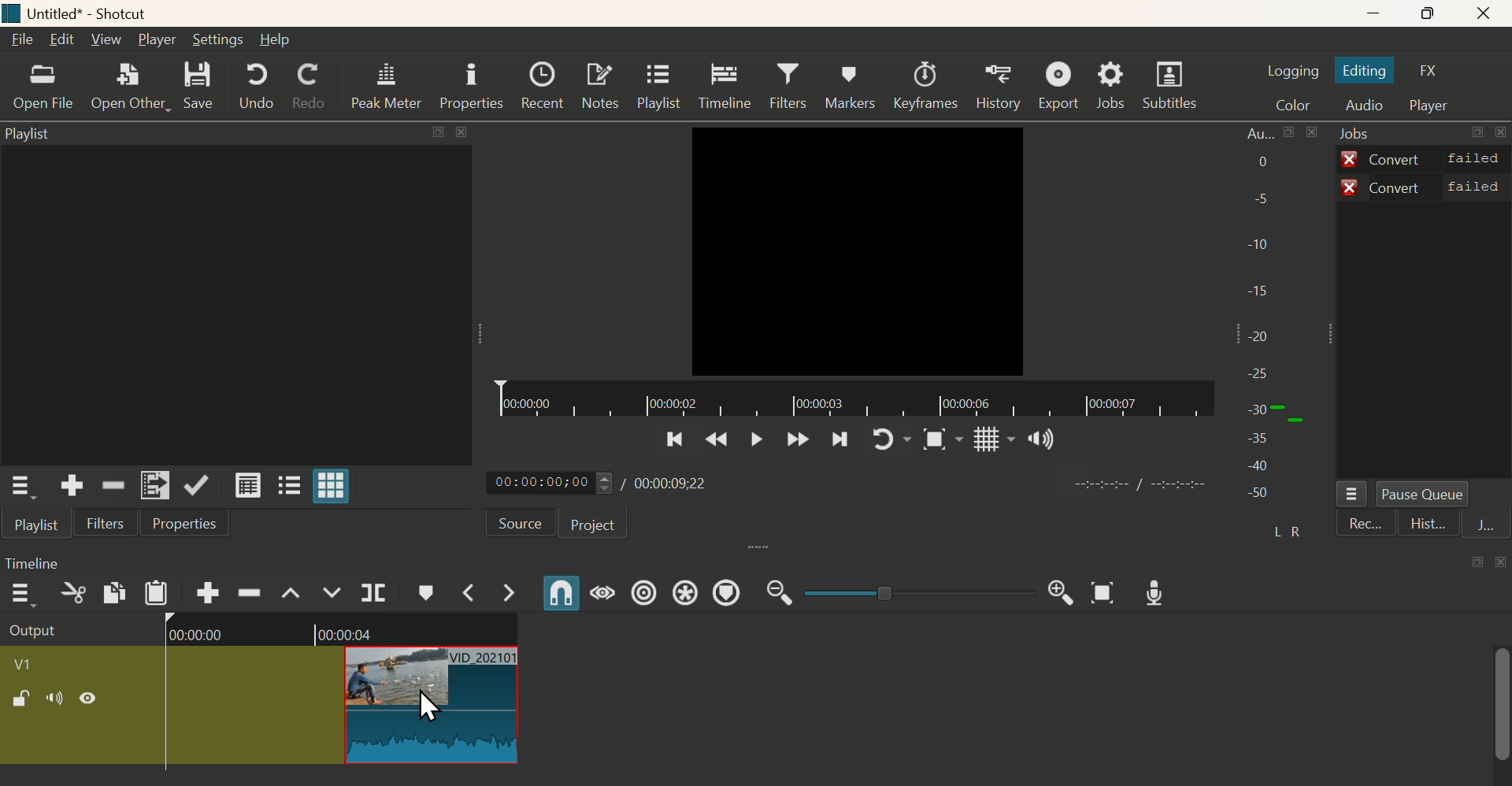 The height and width of the screenshot is (786, 1512). I want to click on Player, so click(1432, 106).